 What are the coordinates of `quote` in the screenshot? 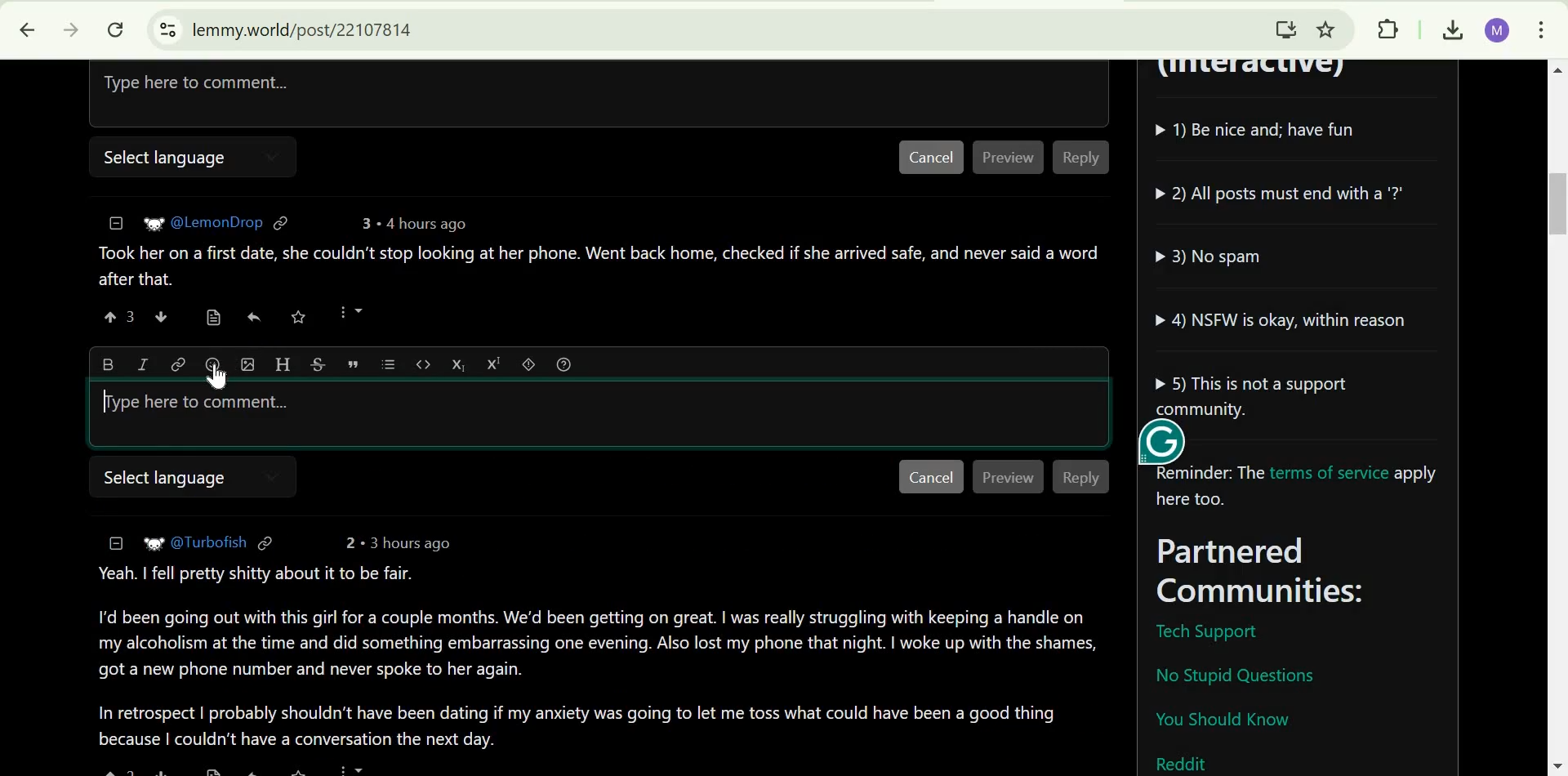 It's located at (354, 364).